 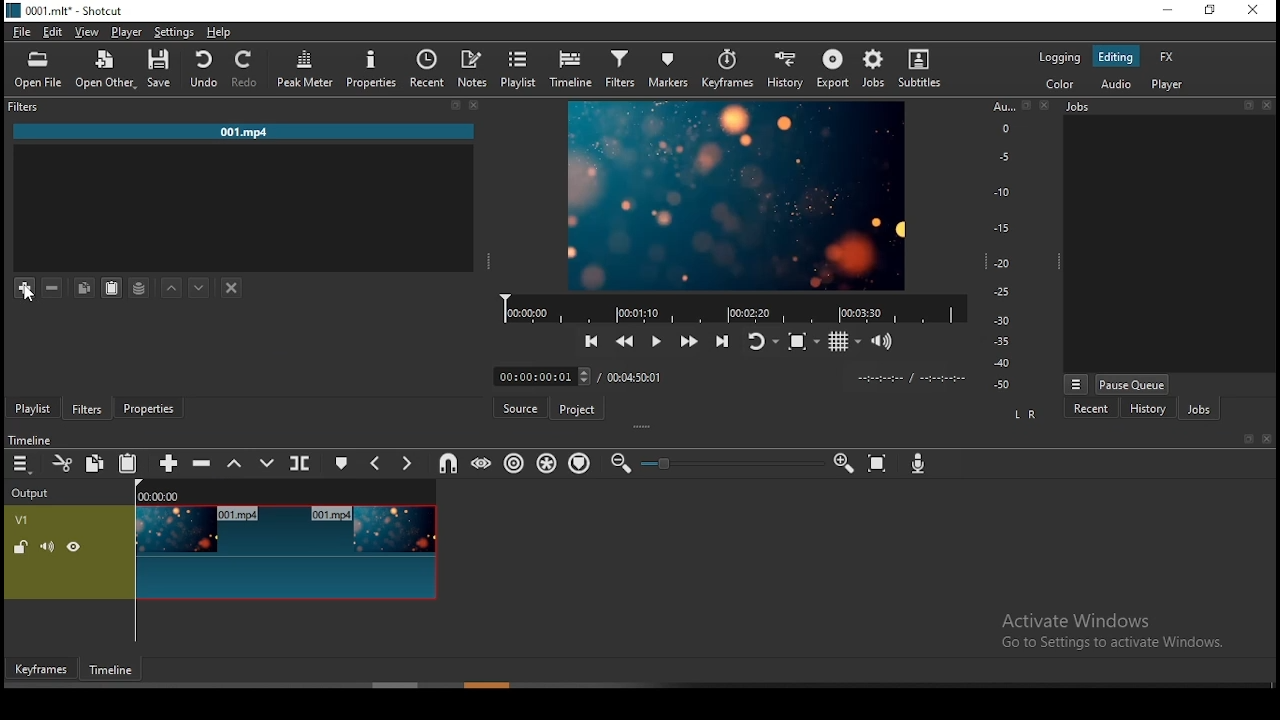 What do you see at coordinates (203, 70) in the screenshot?
I see `undo` at bounding box center [203, 70].